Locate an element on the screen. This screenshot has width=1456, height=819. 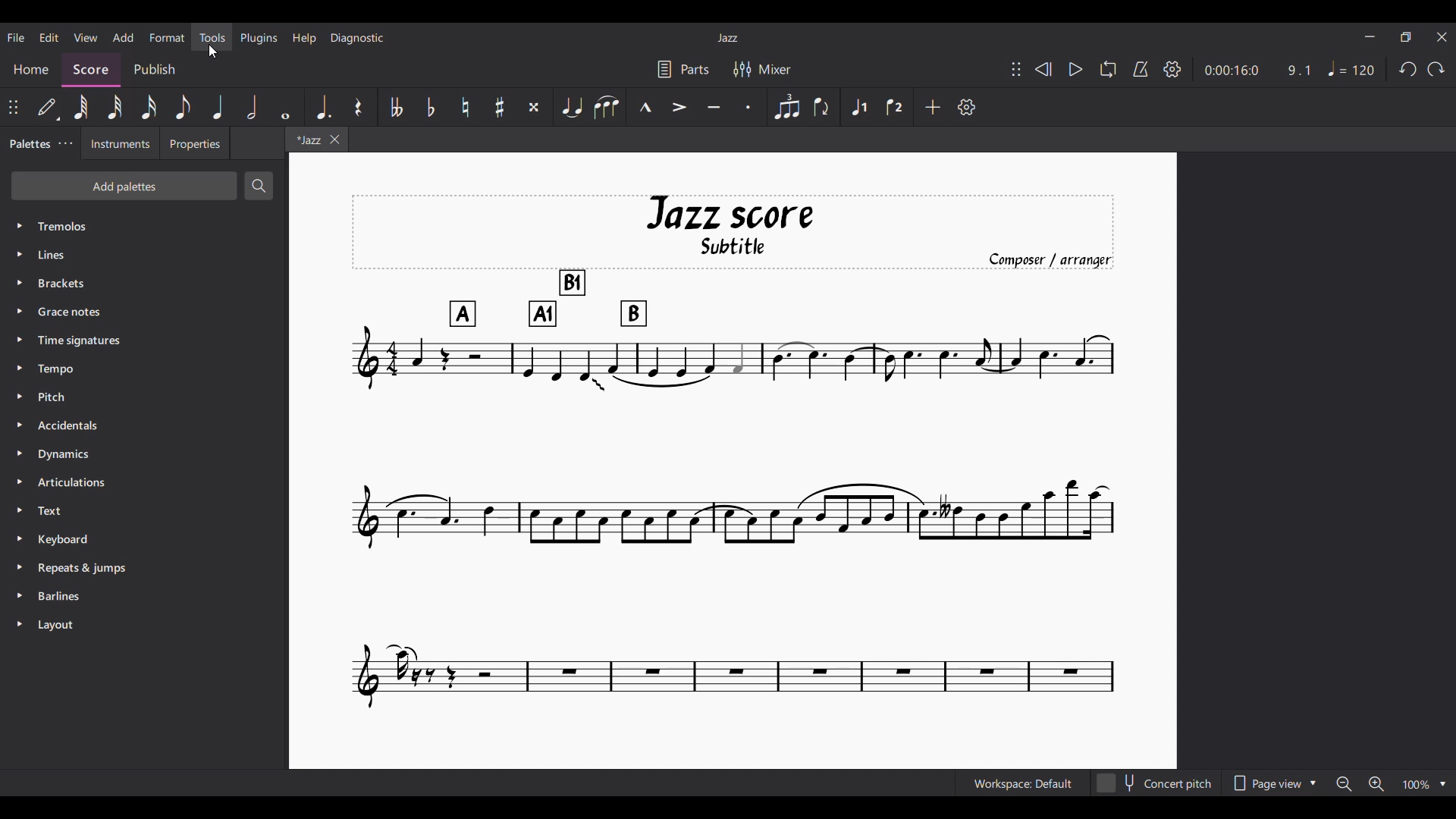
Grace notes is located at coordinates (144, 311).